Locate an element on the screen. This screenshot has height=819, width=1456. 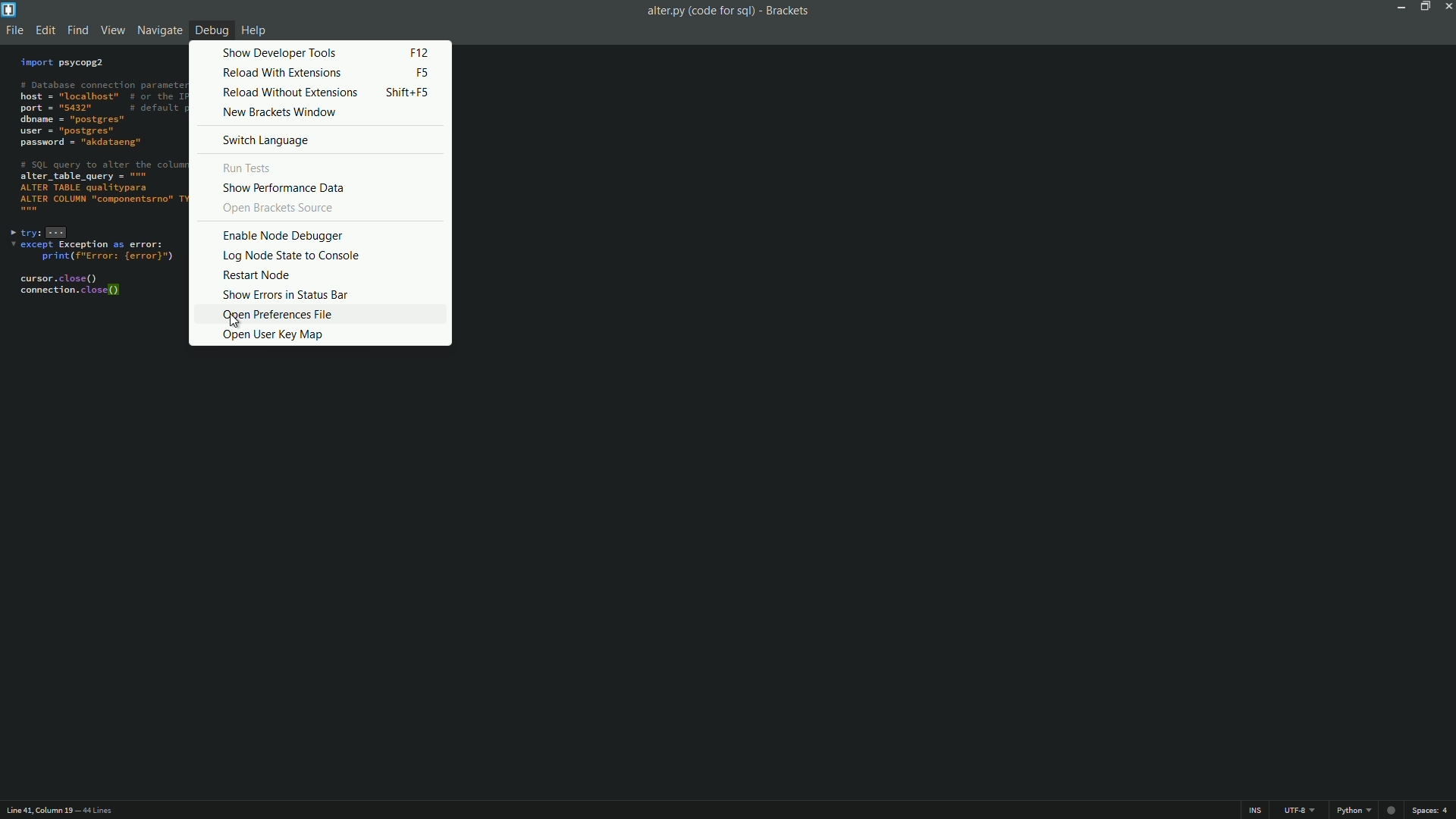
Show errors in the status bar is located at coordinates (319, 295).